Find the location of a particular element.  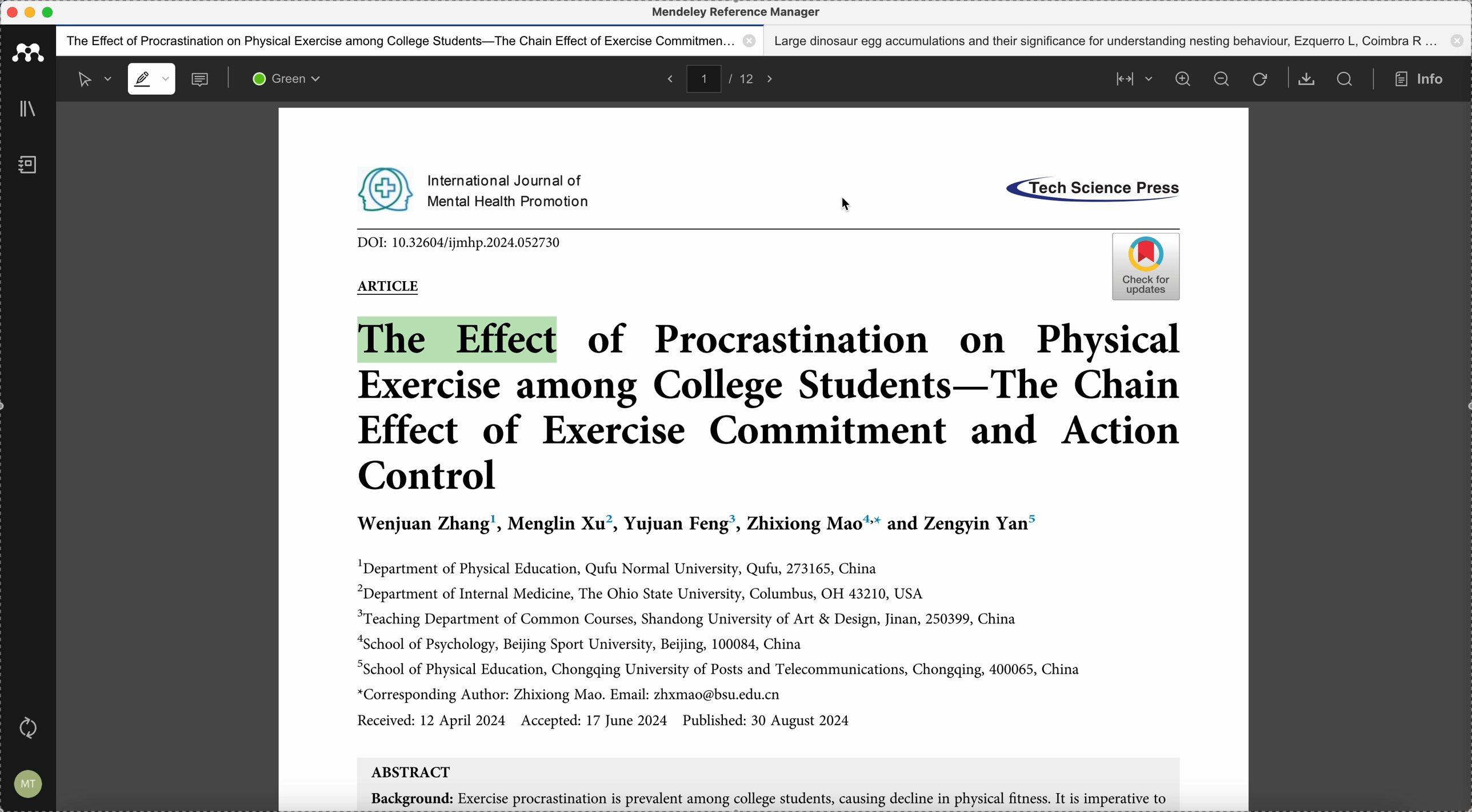

refresh the page is located at coordinates (1259, 80).